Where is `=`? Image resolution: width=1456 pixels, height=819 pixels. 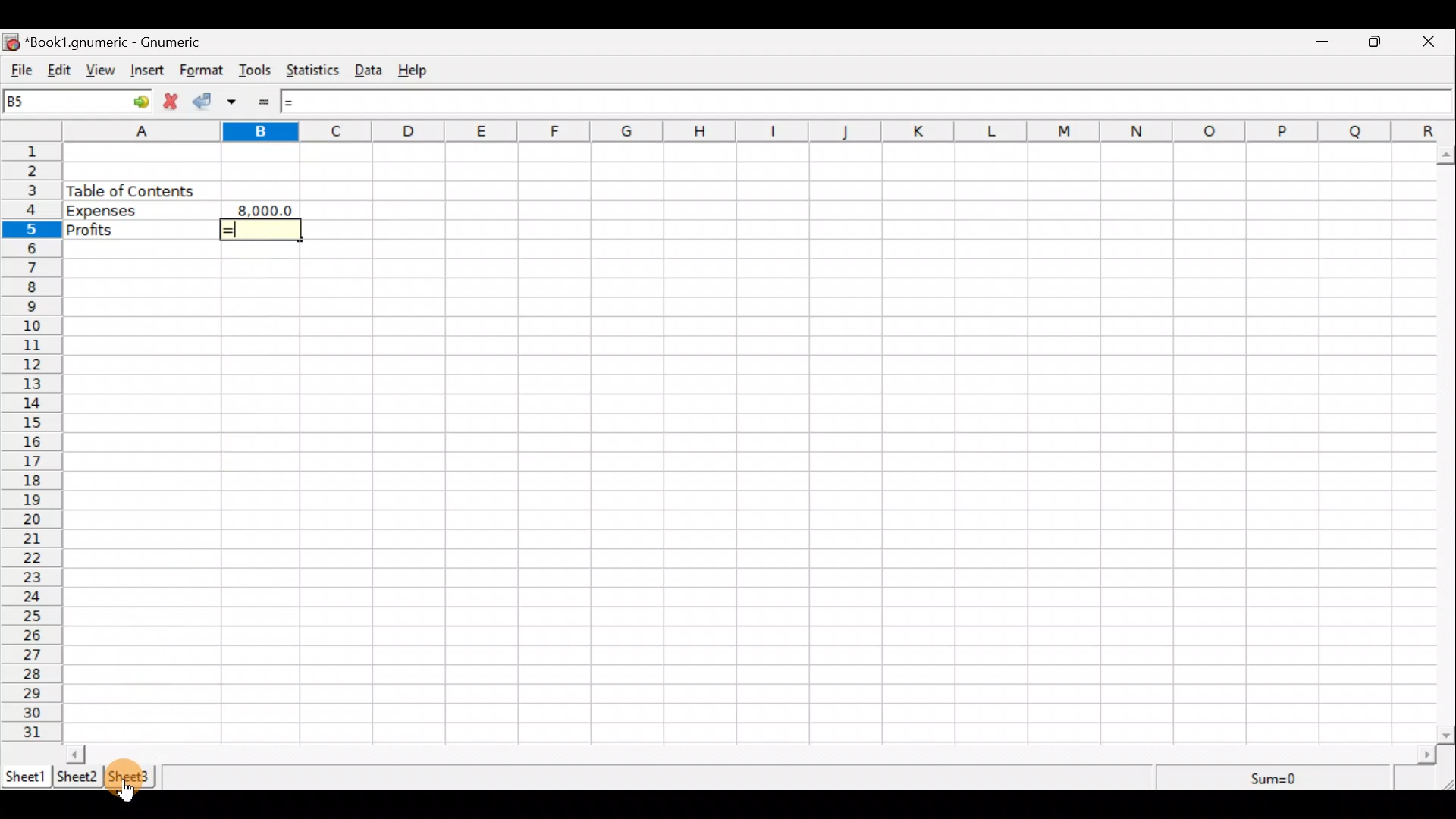
= is located at coordinates (264, 230).